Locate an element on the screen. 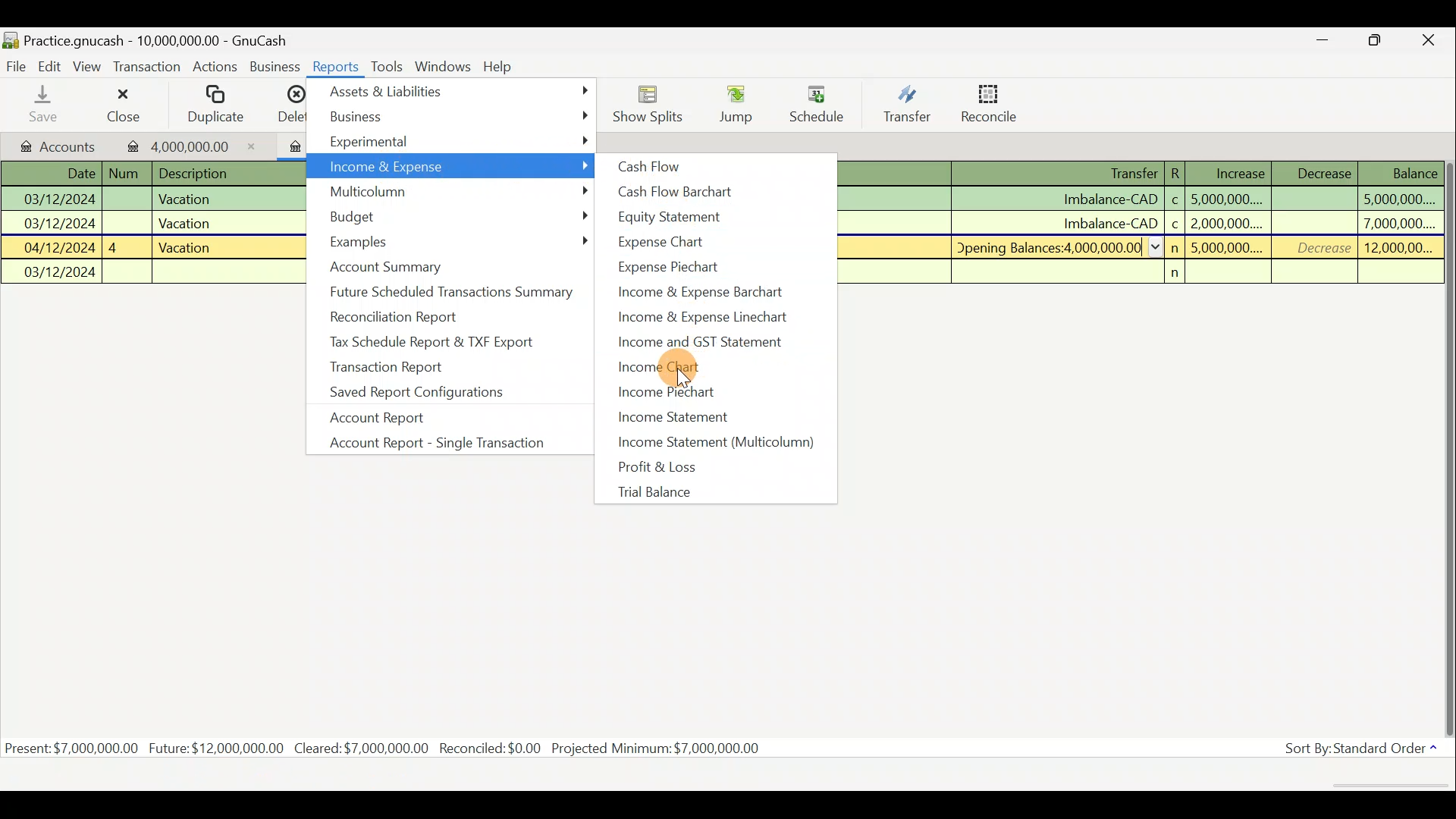 The height and width of the screenshot is (819, 1456). Reconciliation report is located at coordinates (413, 317).